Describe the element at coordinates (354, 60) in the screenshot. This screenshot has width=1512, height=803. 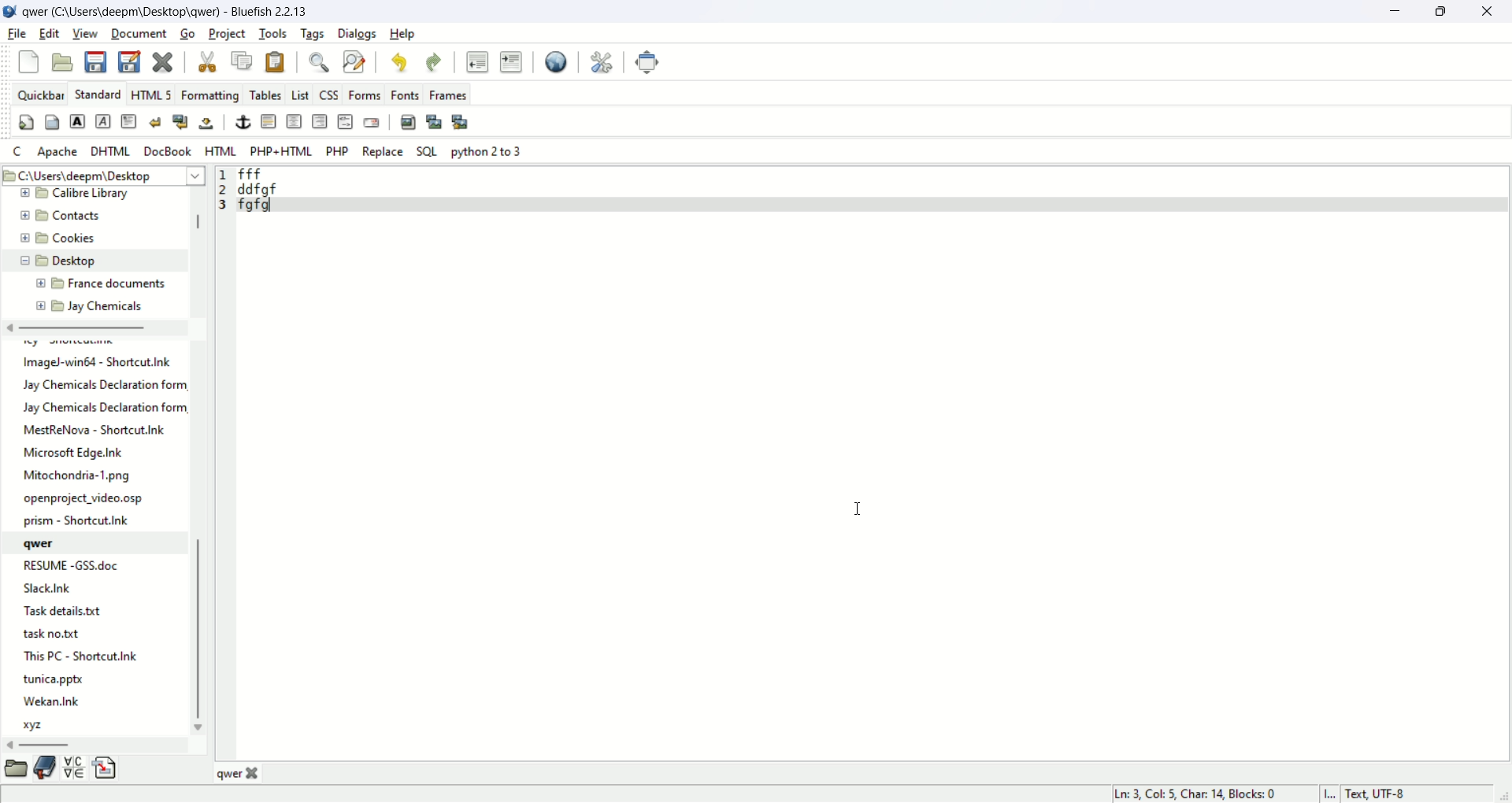
I see `advanced find and replace` at that location.